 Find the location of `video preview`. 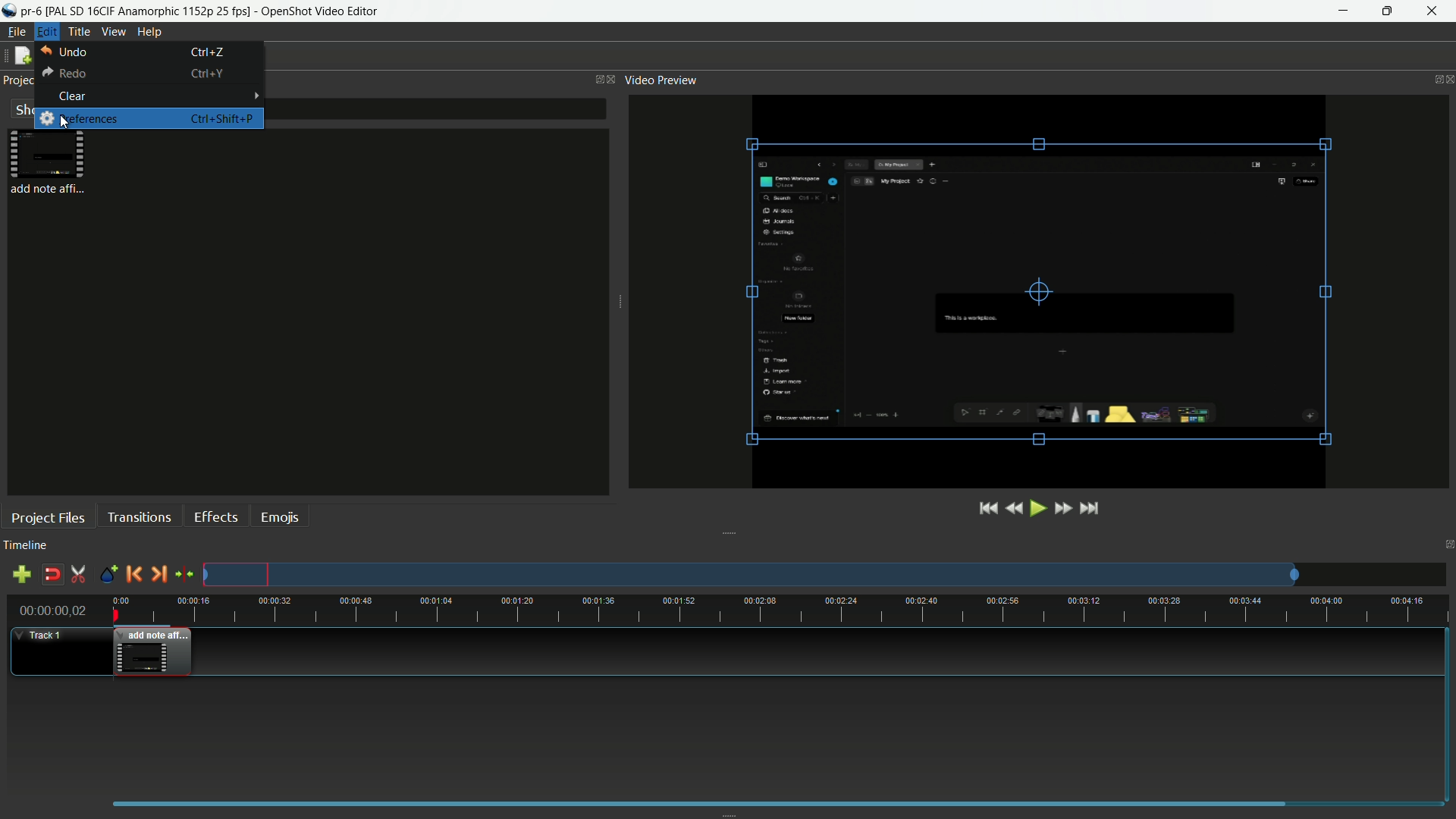

video preview is located at coordinates (661, 80).